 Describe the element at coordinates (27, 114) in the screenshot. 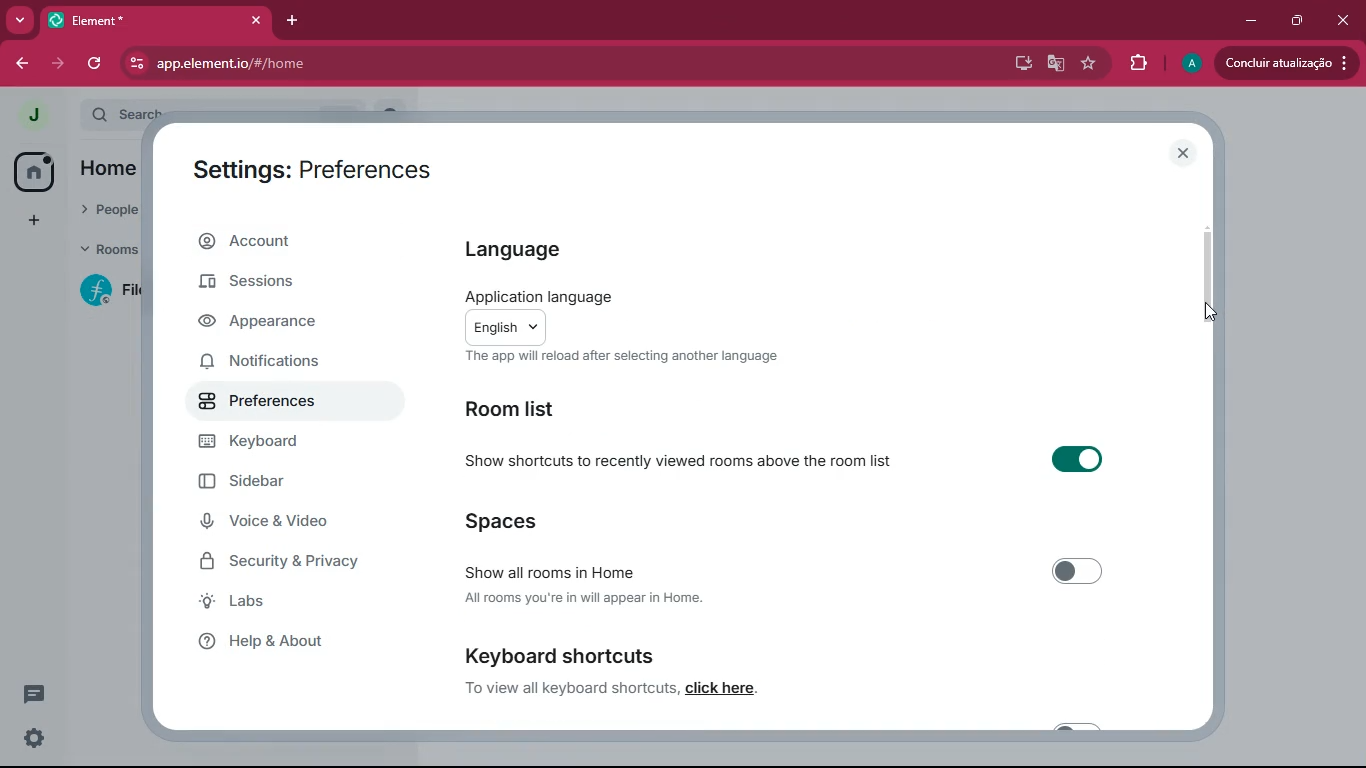

I see `profile picture` at that location.